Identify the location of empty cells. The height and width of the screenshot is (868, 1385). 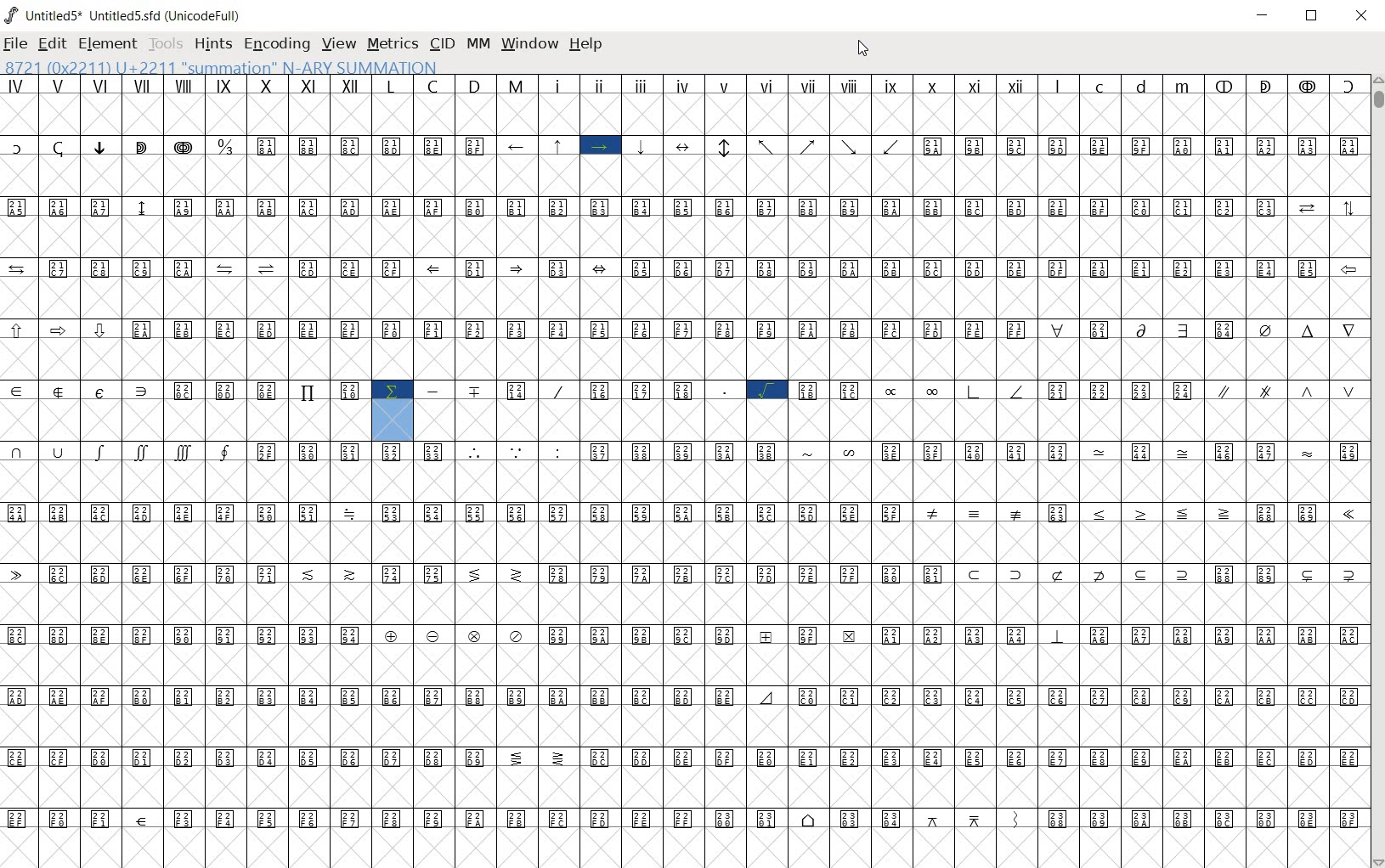
(687, 665).